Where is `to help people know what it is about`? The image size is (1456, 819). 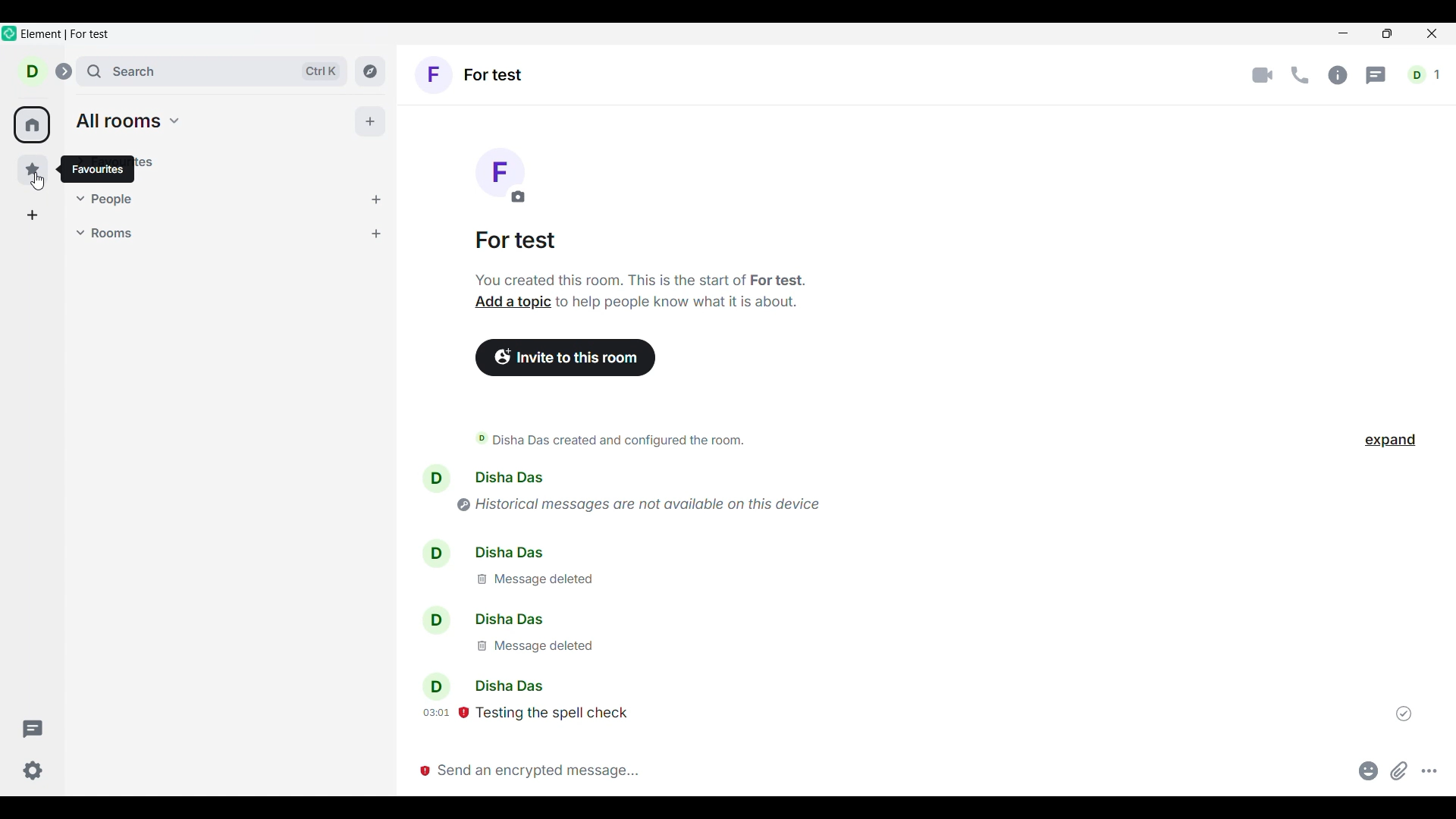 to help people know what it is about is located at coordinates (688, 305).